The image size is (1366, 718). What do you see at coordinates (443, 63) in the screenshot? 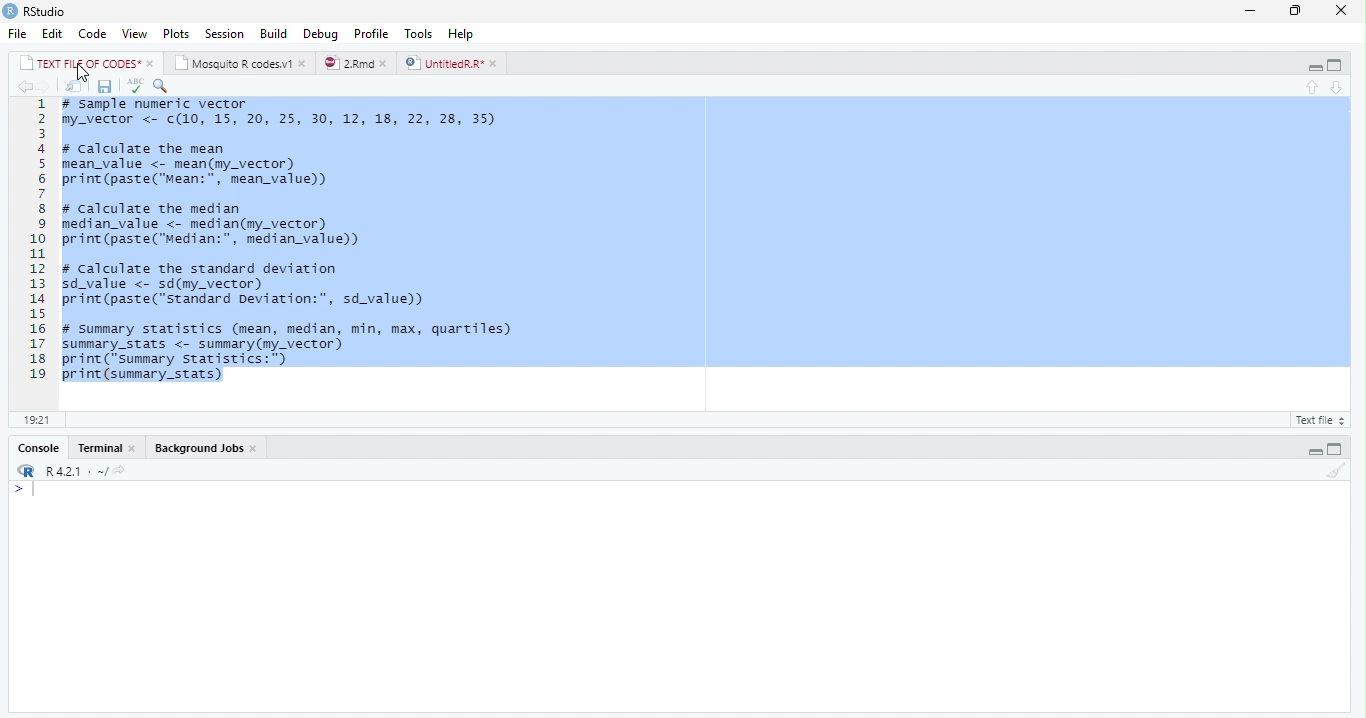
I see `UntitledR.R` at bounding box center [443, 63].